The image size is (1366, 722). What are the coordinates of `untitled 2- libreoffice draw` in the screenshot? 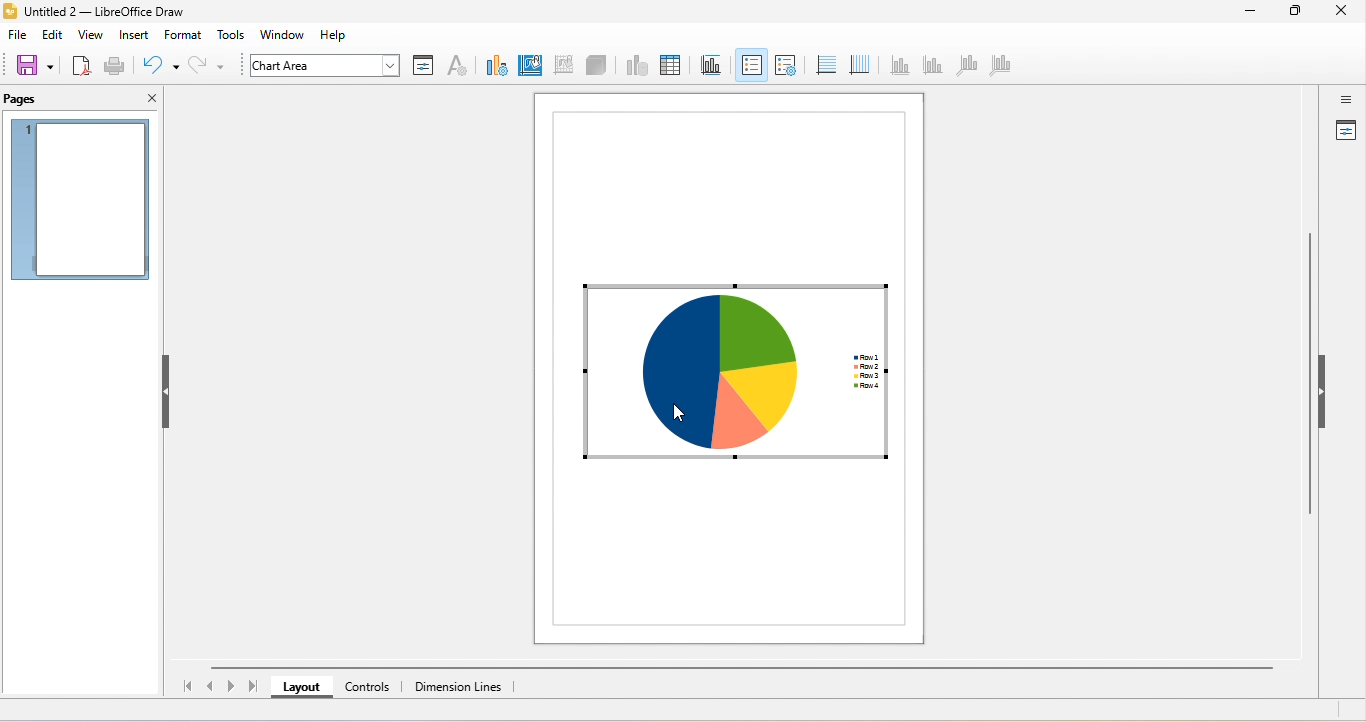 It's located at (116, 13).